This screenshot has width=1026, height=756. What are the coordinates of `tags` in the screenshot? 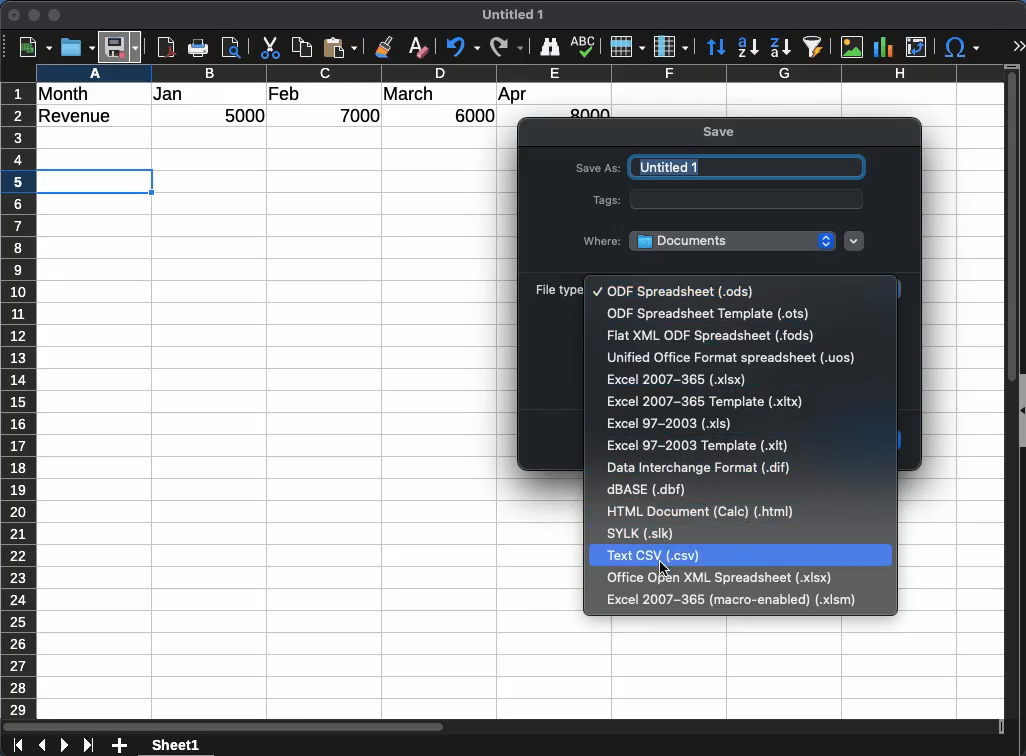 It's located at (603, 200).